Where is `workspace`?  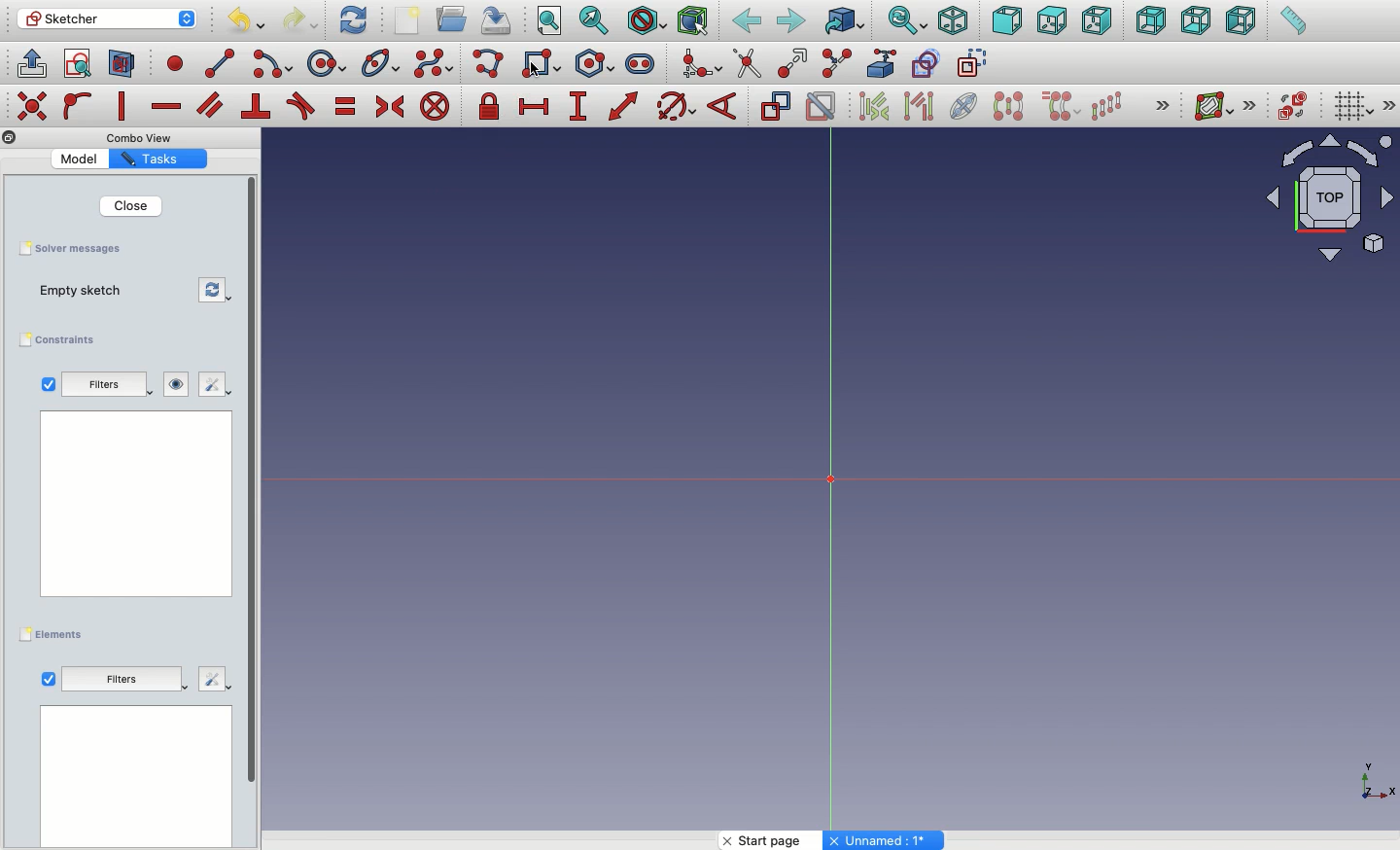
workspace is located at coordinates (136, 778).